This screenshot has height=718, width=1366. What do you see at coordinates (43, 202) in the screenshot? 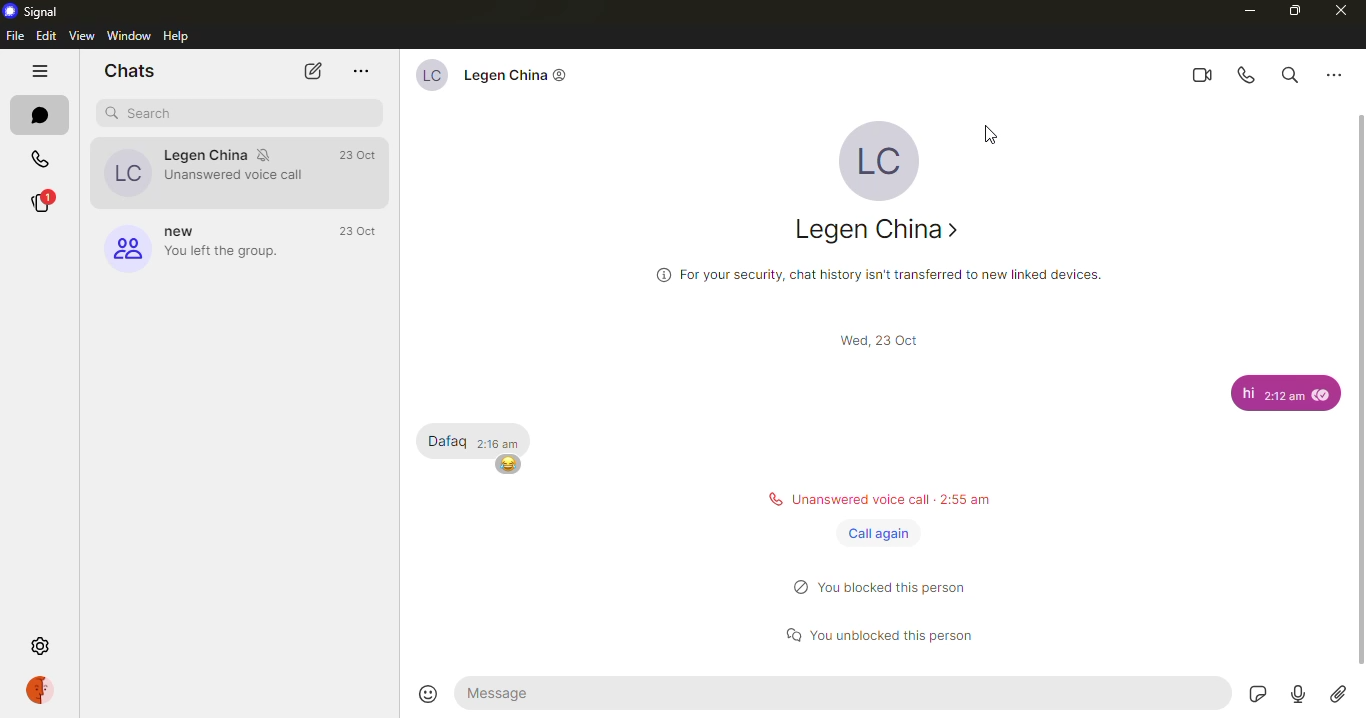
I see `stories` at bounding box center [43, 202].